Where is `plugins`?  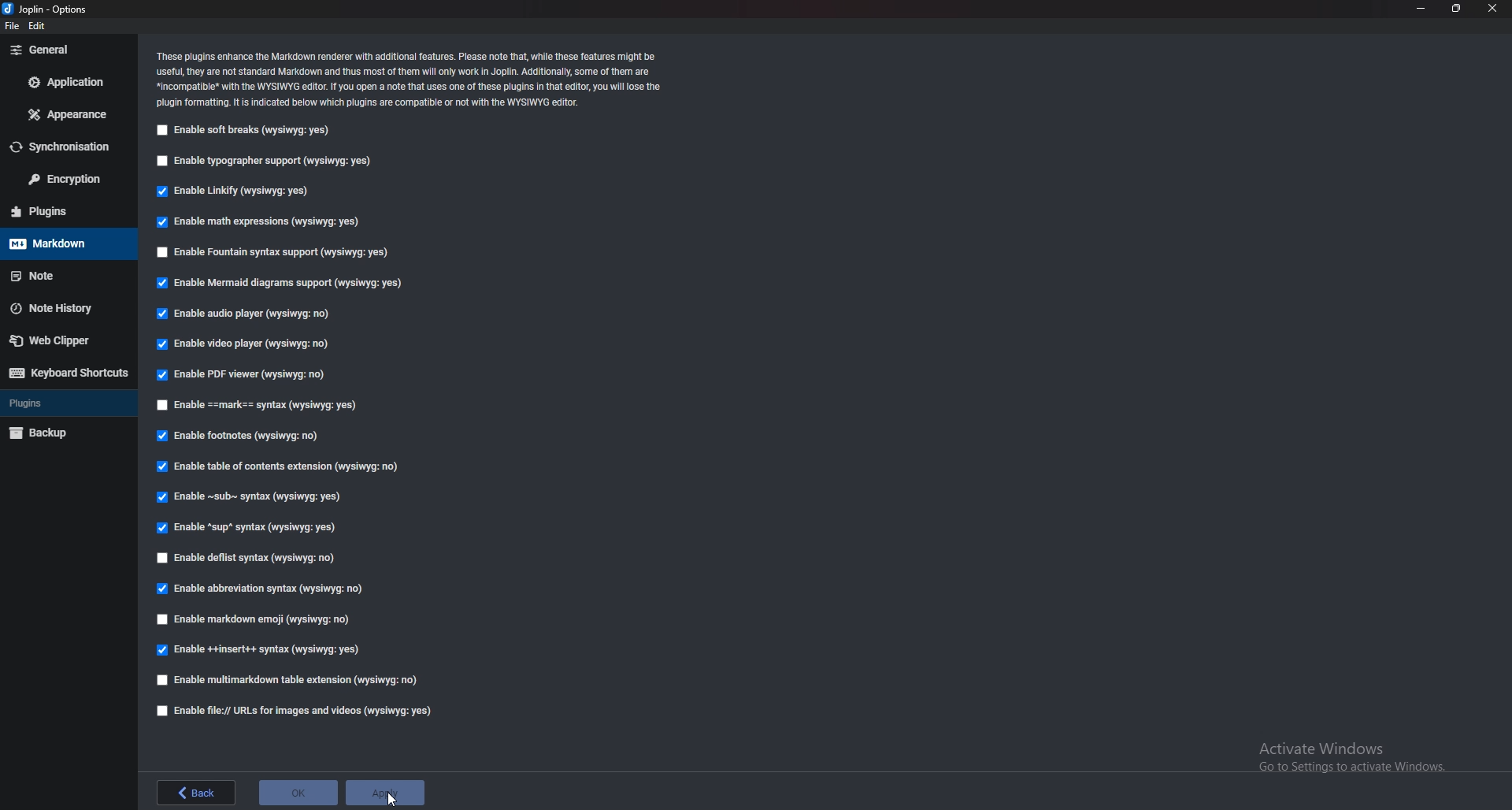
plugins is located at coordinates (65, 404).